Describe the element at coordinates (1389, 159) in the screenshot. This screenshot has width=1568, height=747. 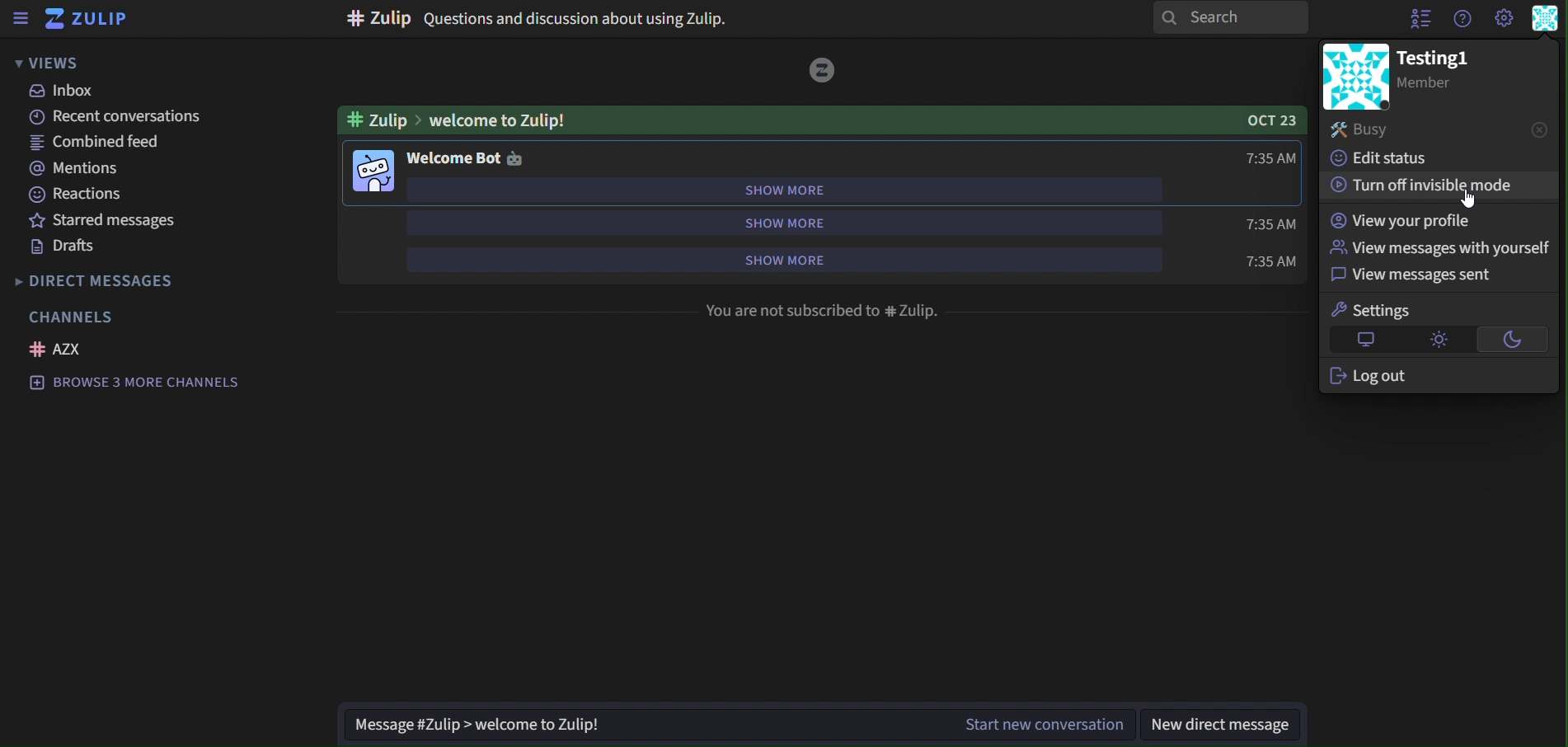
I see `edit status` at that location.